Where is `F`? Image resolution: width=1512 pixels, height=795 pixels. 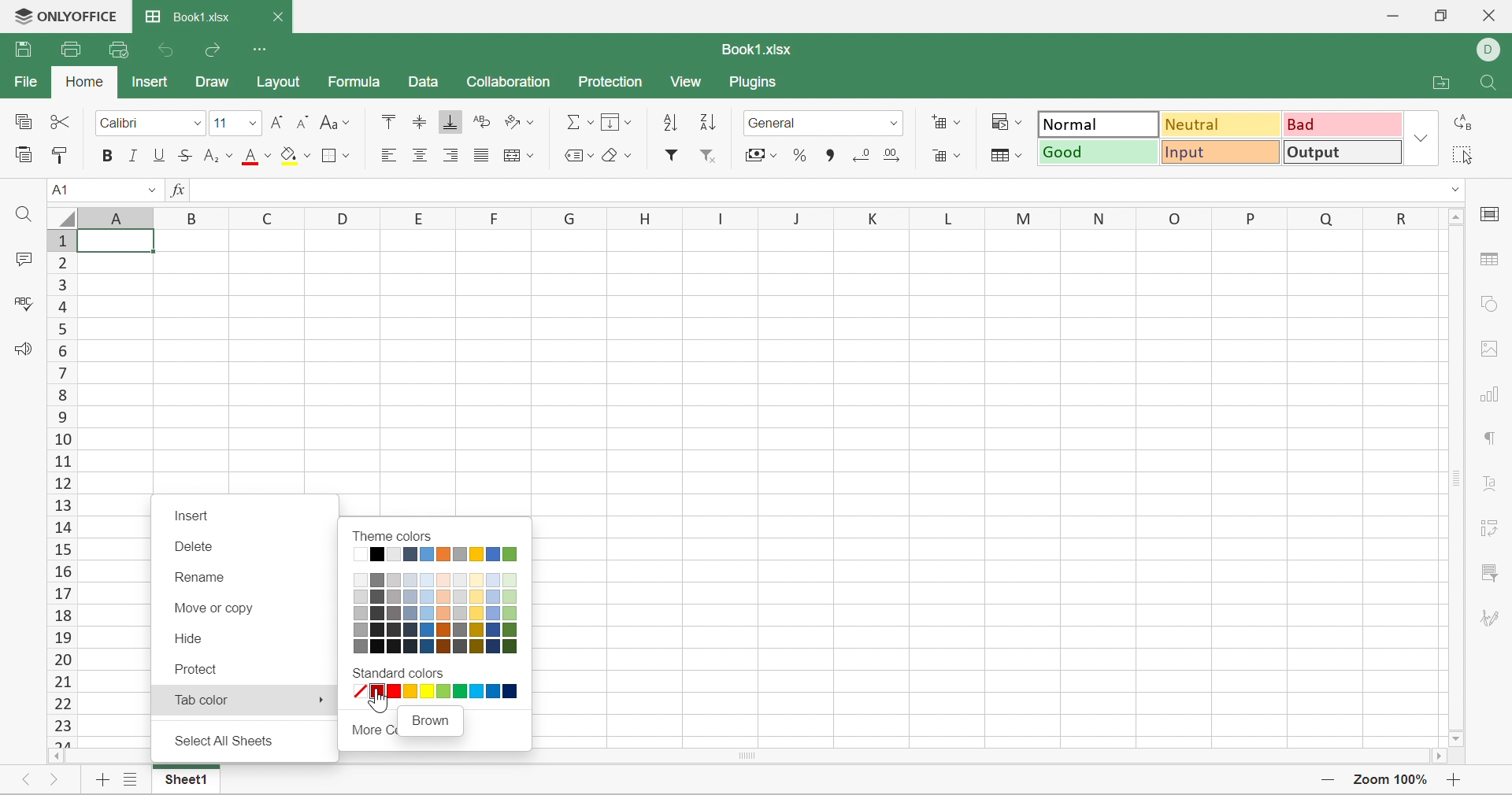 F is located at coordinates (498, 216).